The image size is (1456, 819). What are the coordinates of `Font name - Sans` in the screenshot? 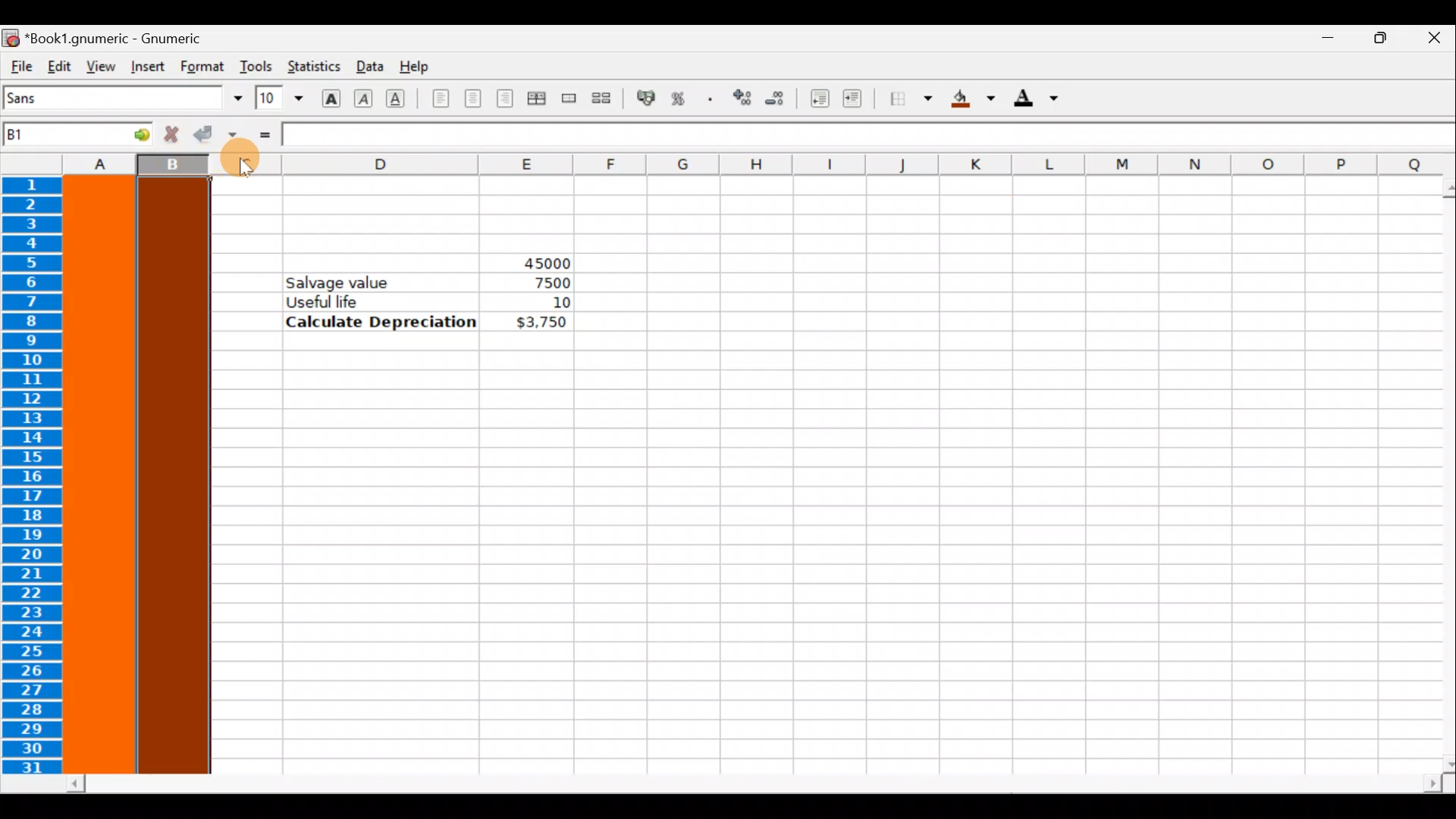 It's located at (120, 99).